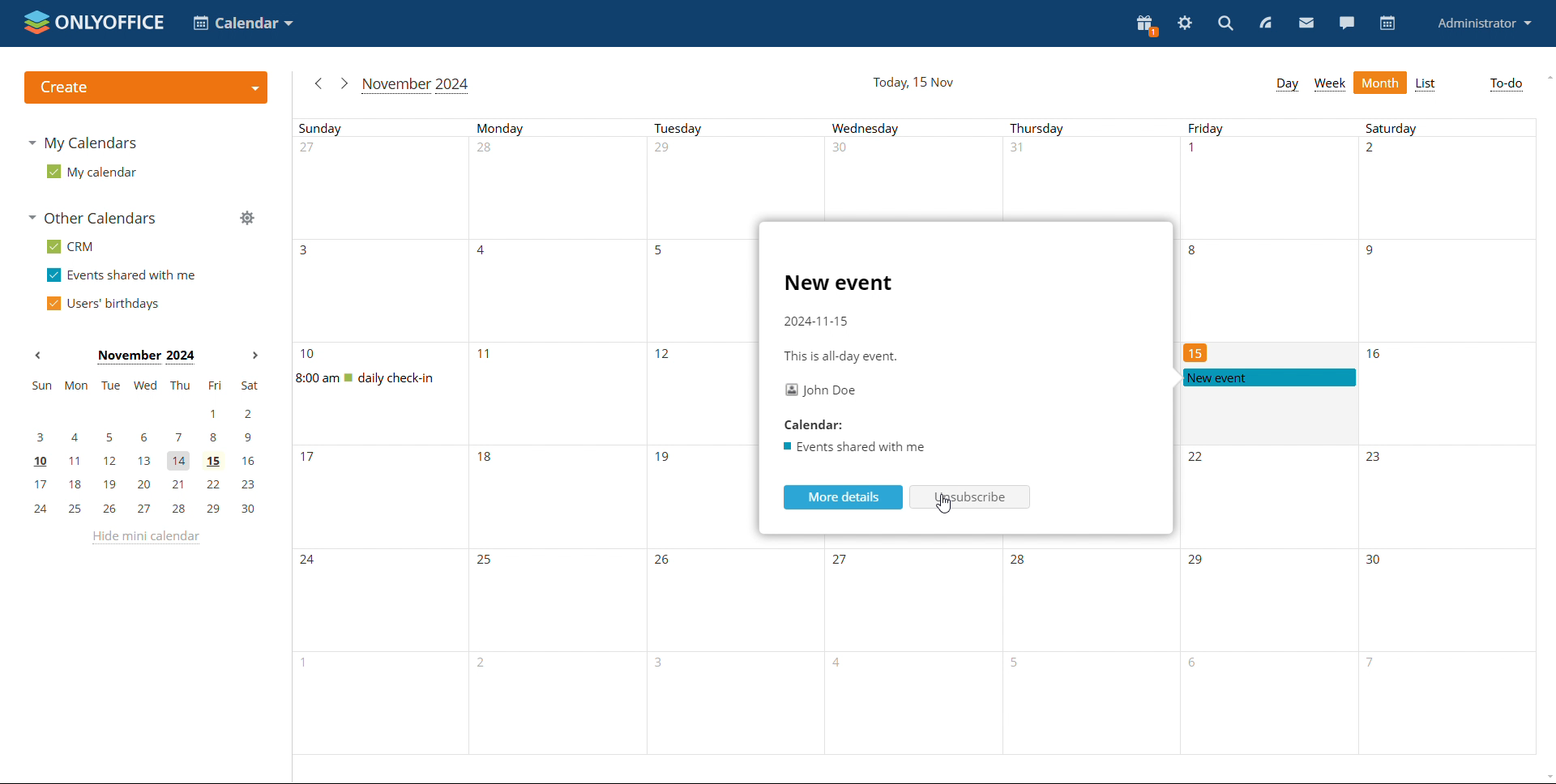 The width and height of the screenshot is (1556, 784). Describe the element at coordinates (310, 252) in the screenshot. I see `Number` at that location.